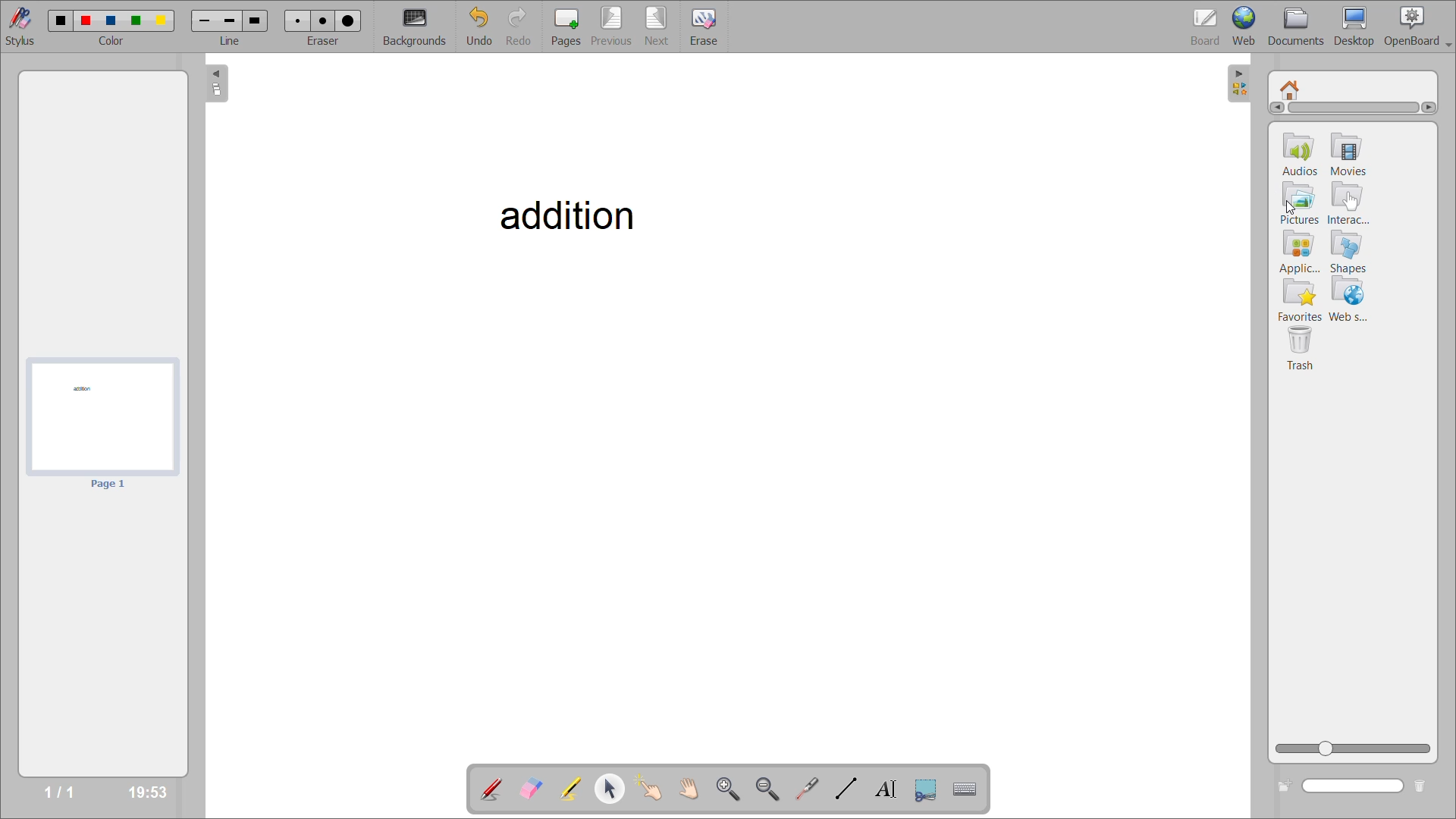 This screenshot has width=1456, height=819. What do you see at coordinates (1301, 206) in the screenshot?
I see `pictures` at bounding box center [1301, 206].